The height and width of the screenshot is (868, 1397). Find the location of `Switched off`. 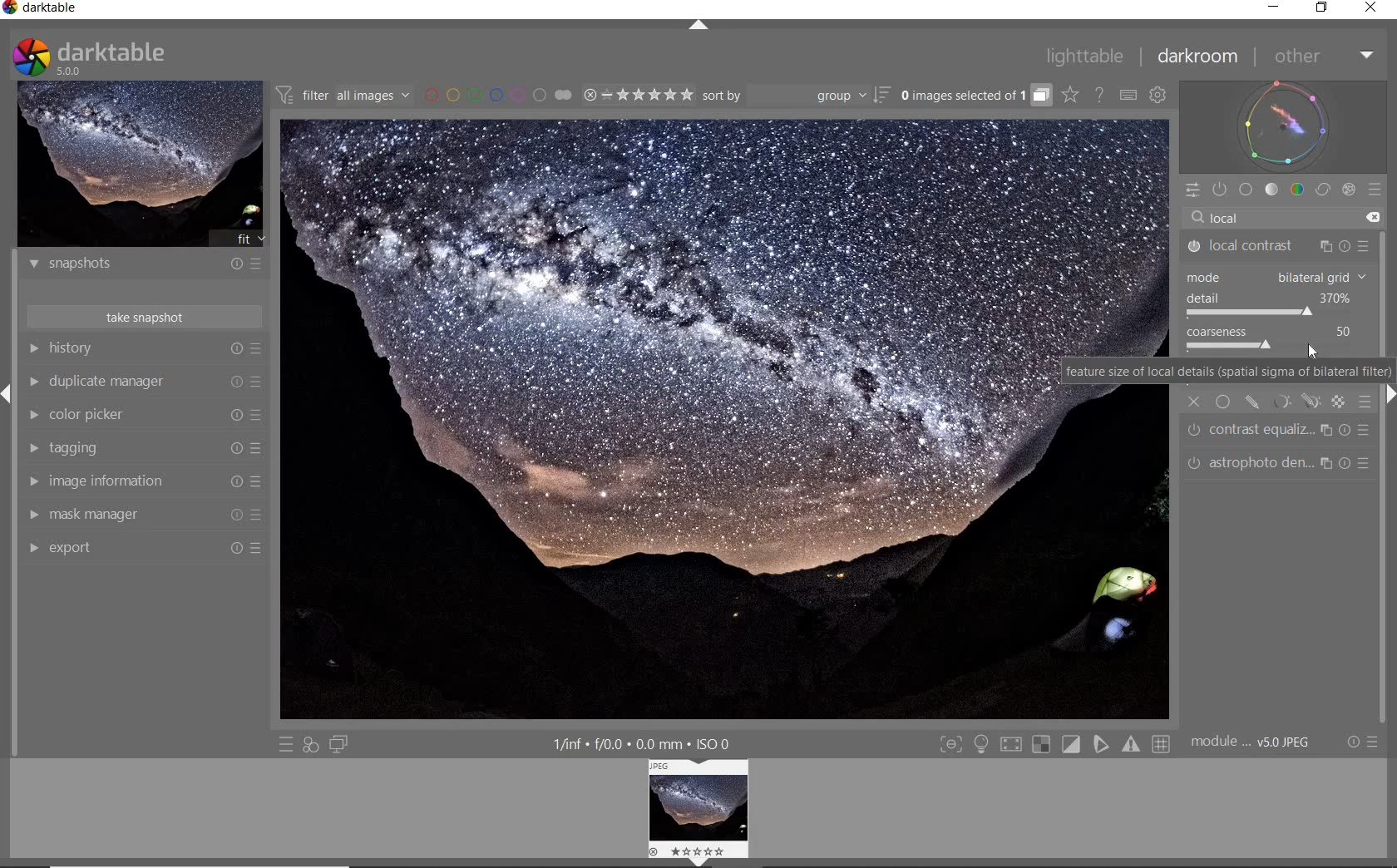

Switched off is located at coordinates (1194, 432).